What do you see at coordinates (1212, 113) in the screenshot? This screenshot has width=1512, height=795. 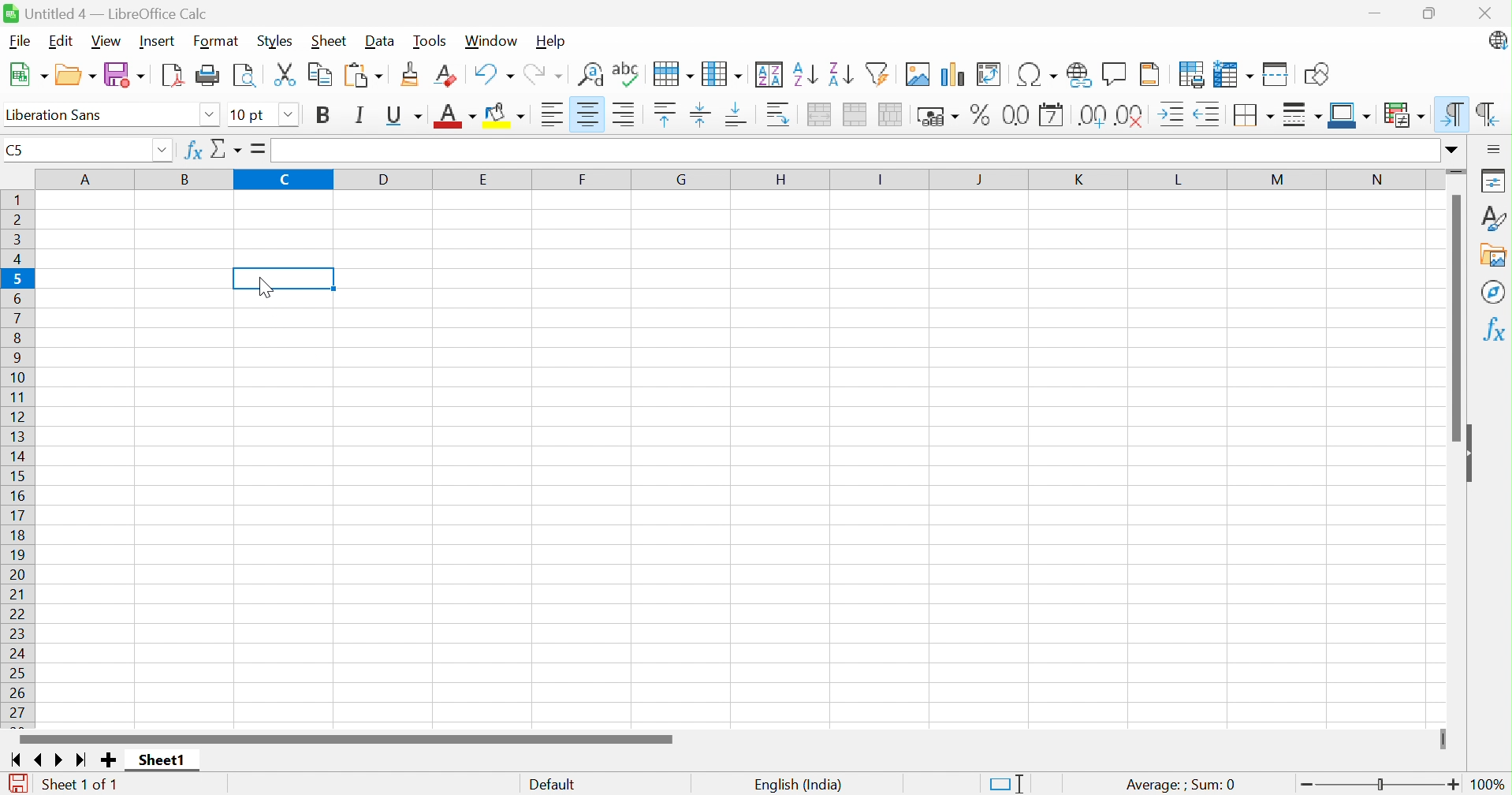 I see `Decrease Indent` at bounding box center [1212, 113].